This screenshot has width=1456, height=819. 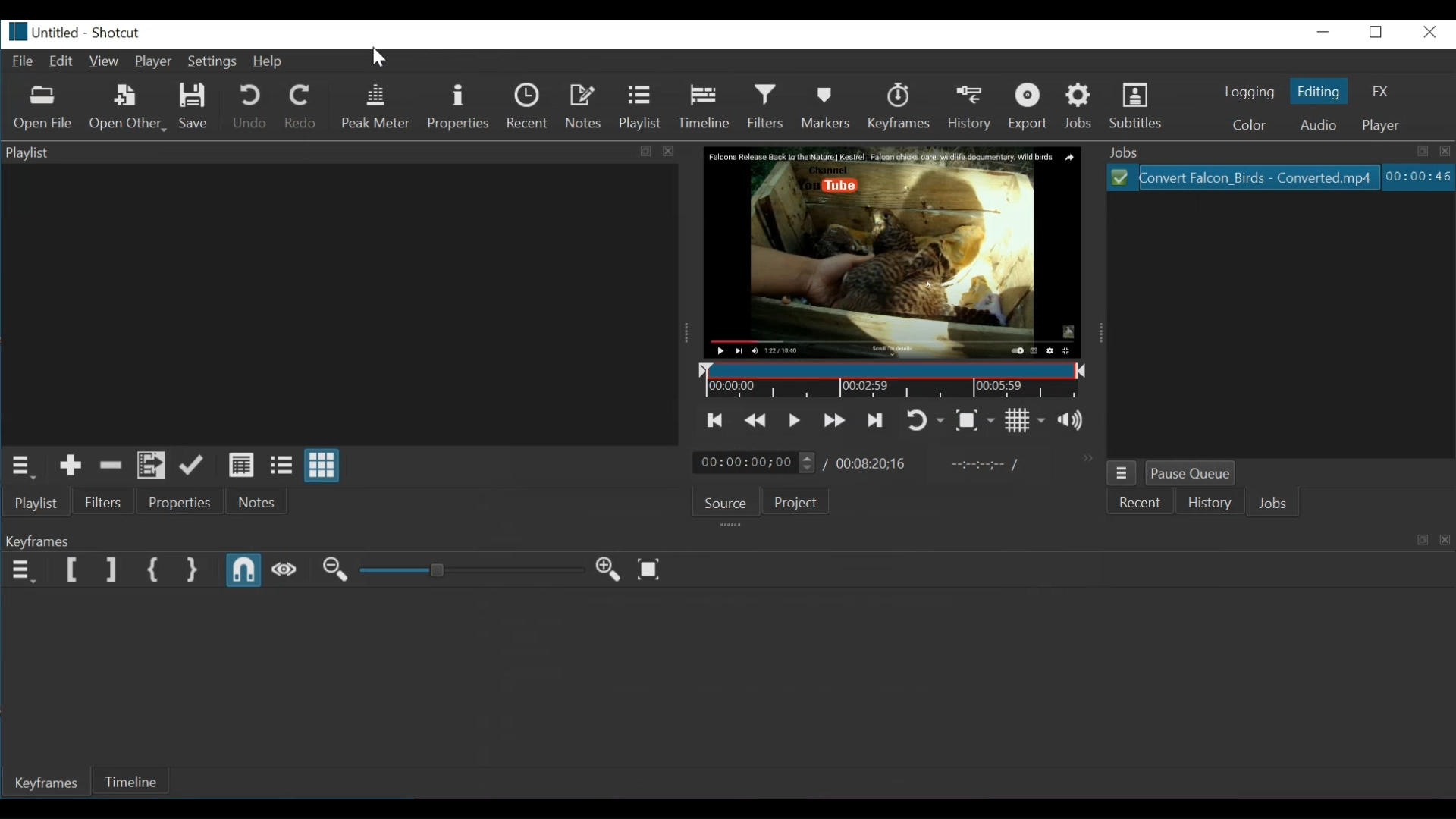 I want to click on Convert Falcon_Birds - Converted.mp4(File), so click(x=1241, y=177).